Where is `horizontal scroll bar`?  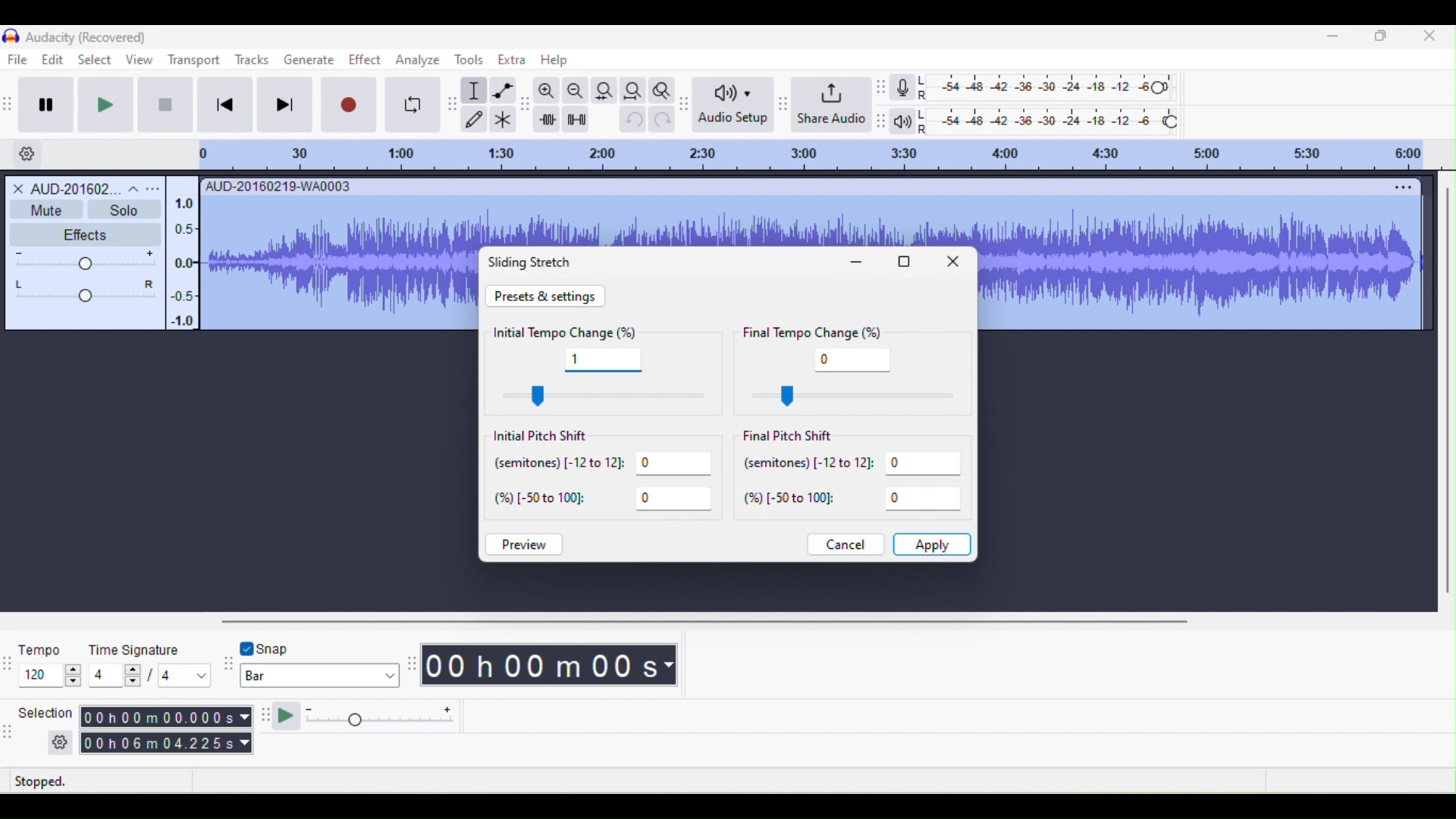 horizontal scroll bar is located at coordinates (720, 620).